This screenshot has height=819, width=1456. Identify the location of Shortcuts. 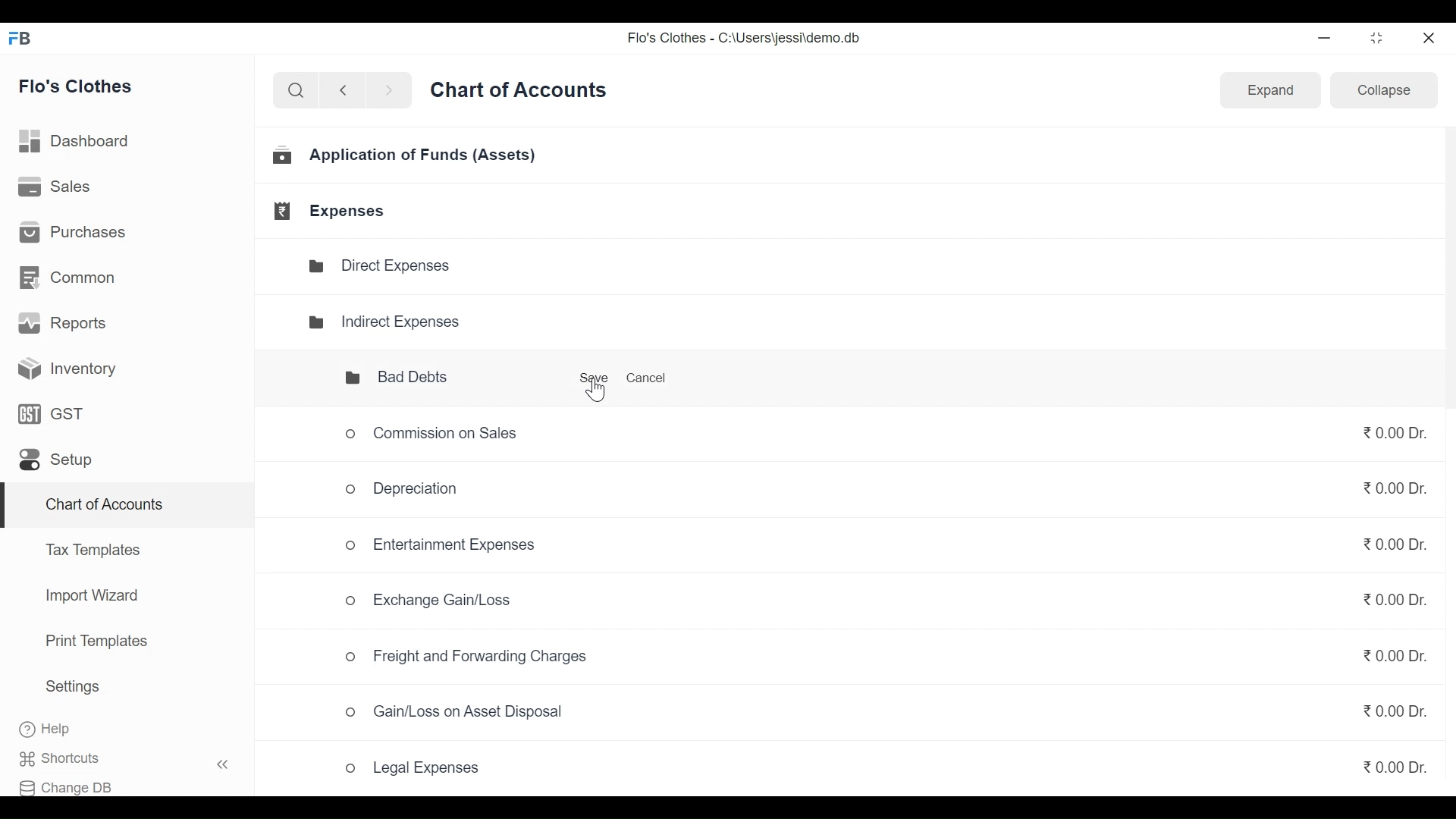
(133, 758).